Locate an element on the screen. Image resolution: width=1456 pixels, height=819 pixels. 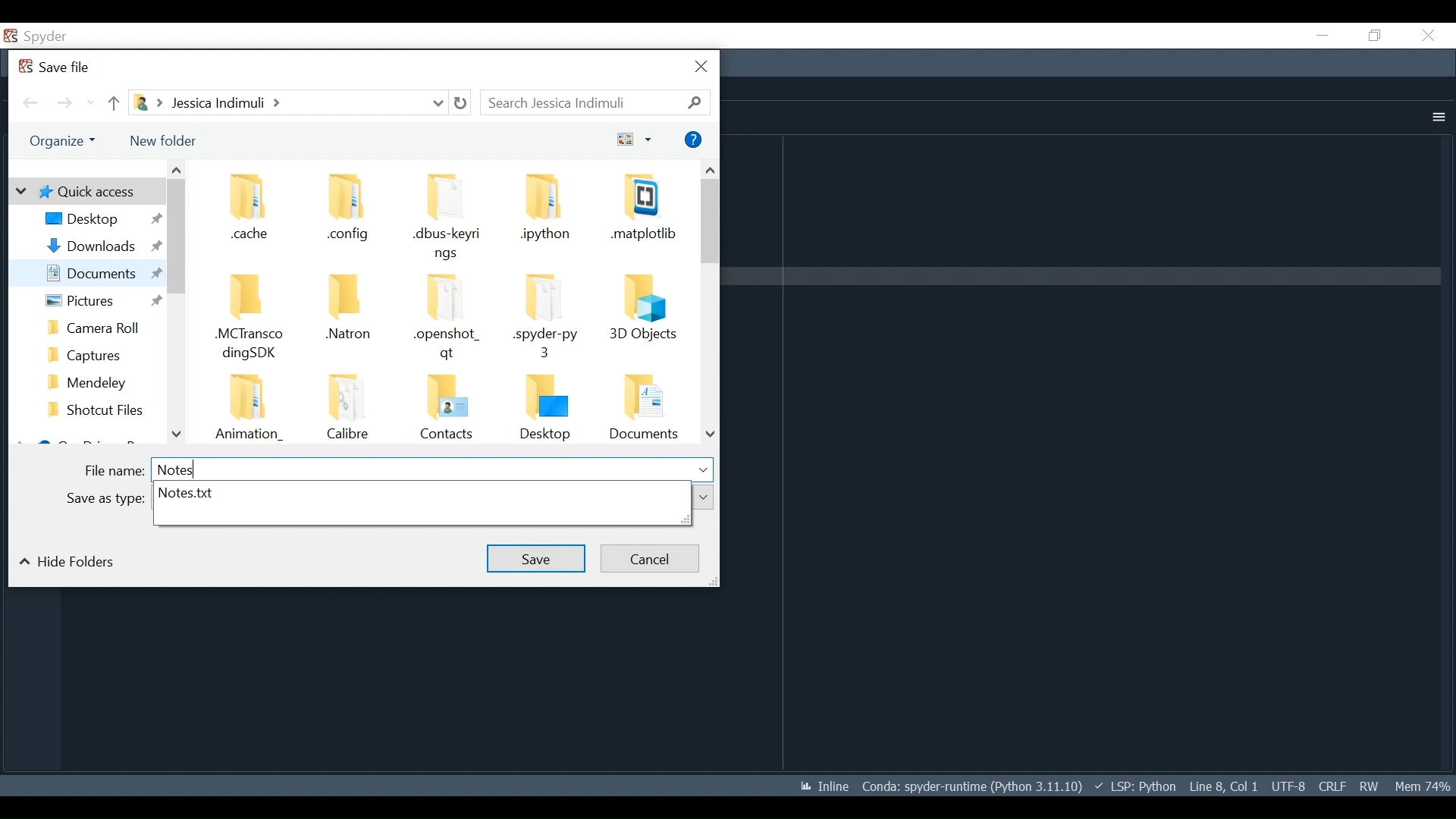
File Path is located at coordinates (286, 102).